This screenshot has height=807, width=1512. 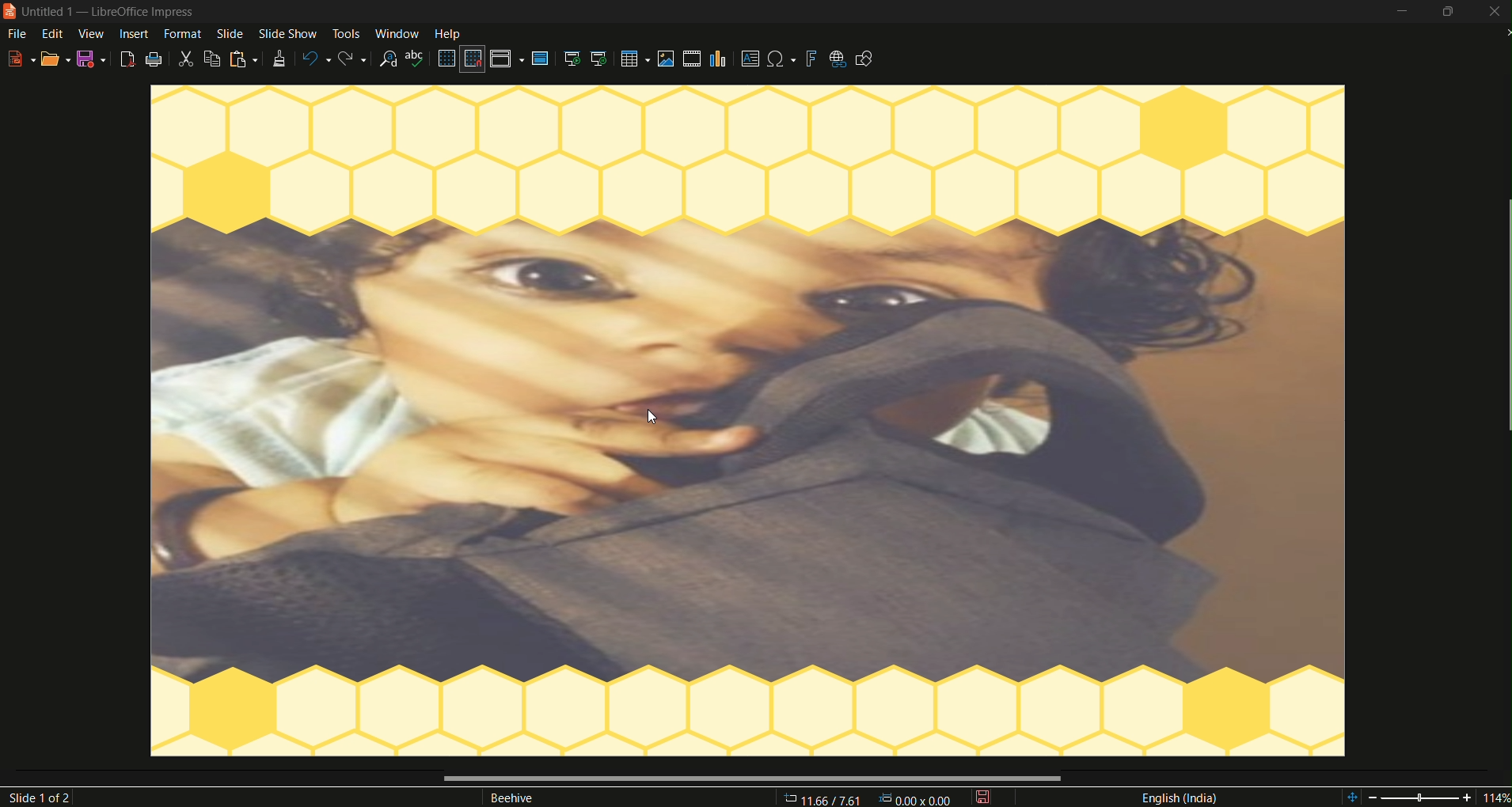 I want to click on 114%, so click(x=1426, y=795).